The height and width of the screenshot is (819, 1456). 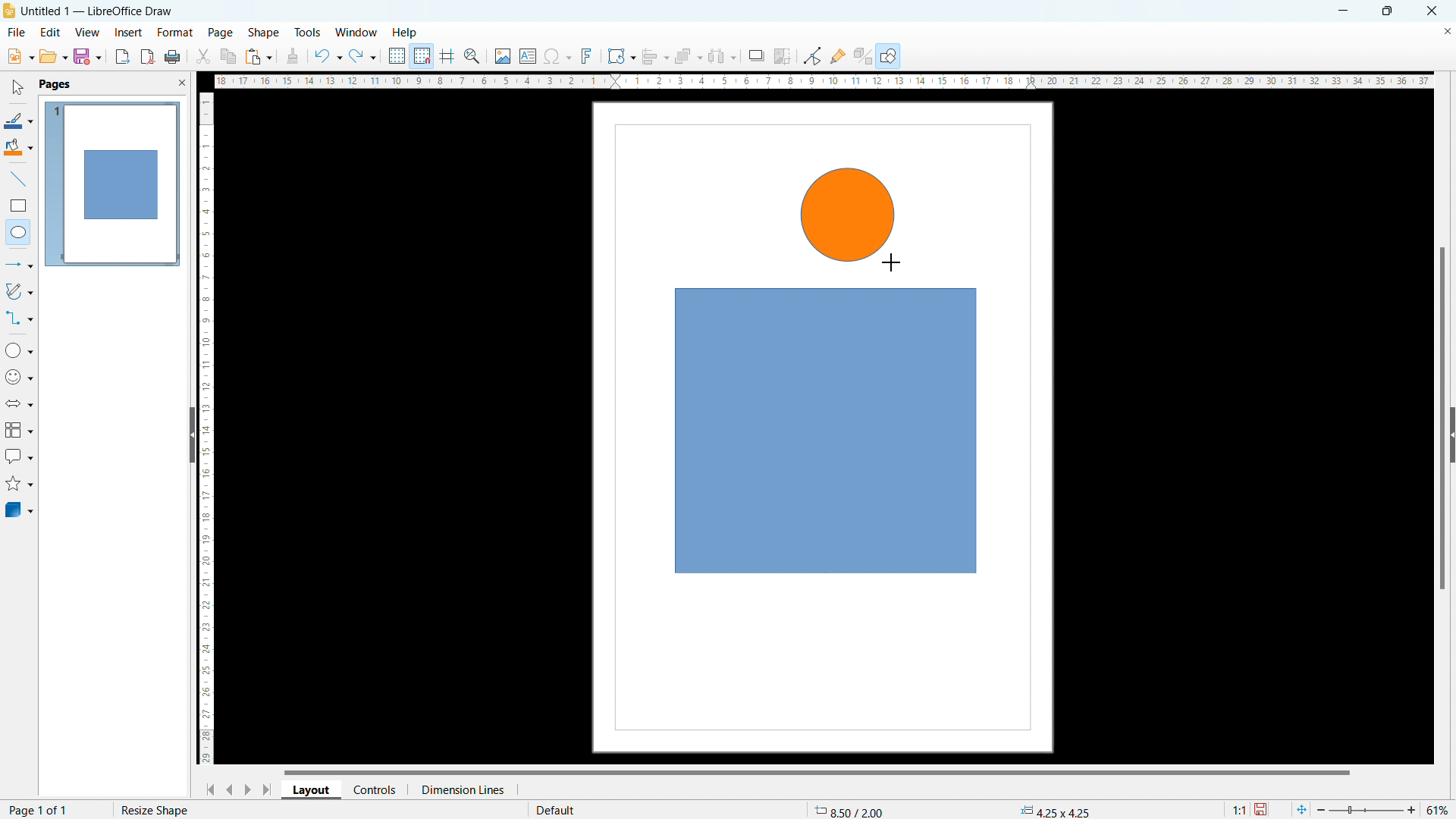 What do you see at coordinates (890, 57) in the screenshot?
I see `show draw functions` at bounding box center [890, 57].